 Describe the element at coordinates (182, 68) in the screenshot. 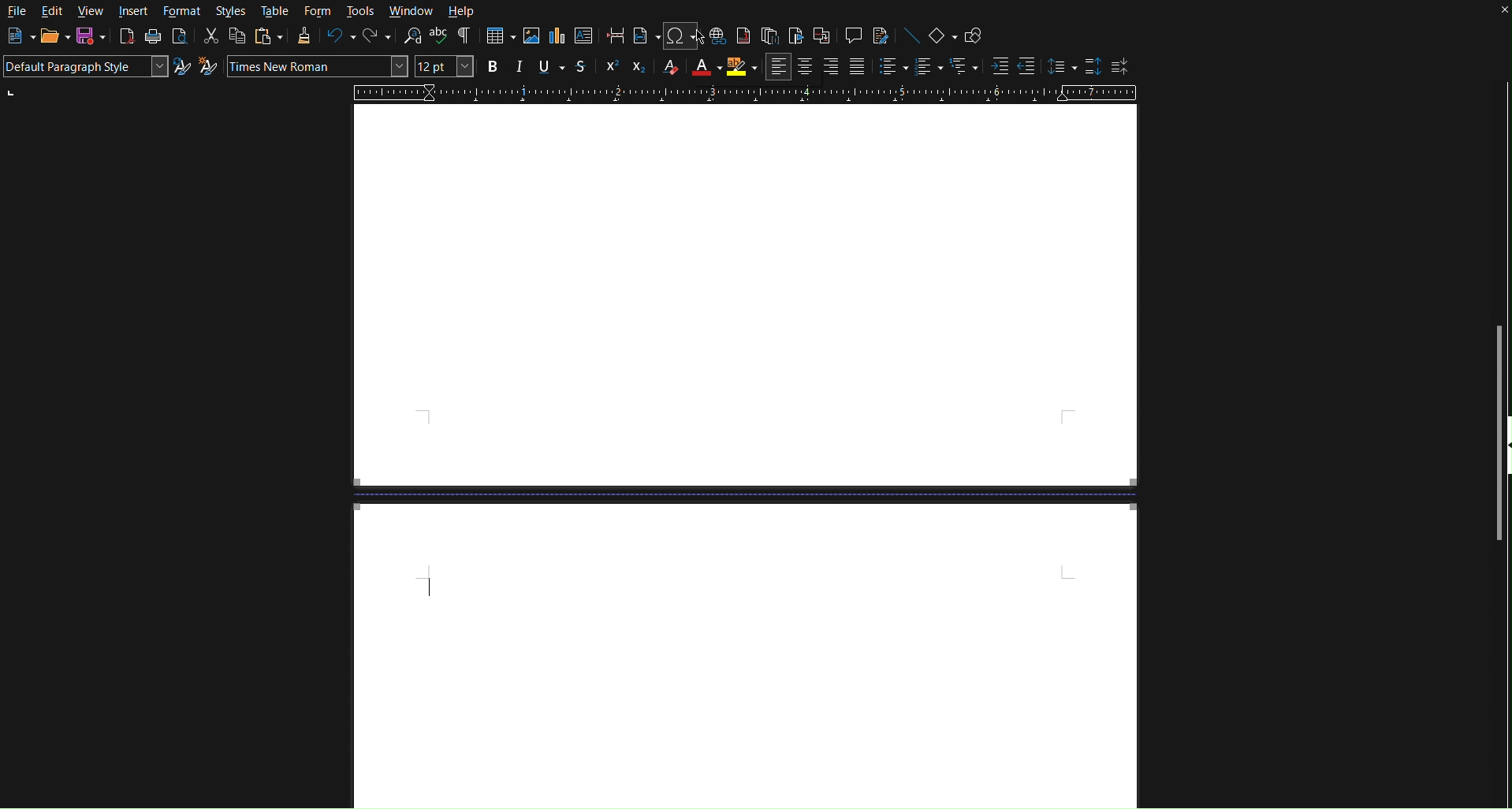

I see `Update Style` at that location.